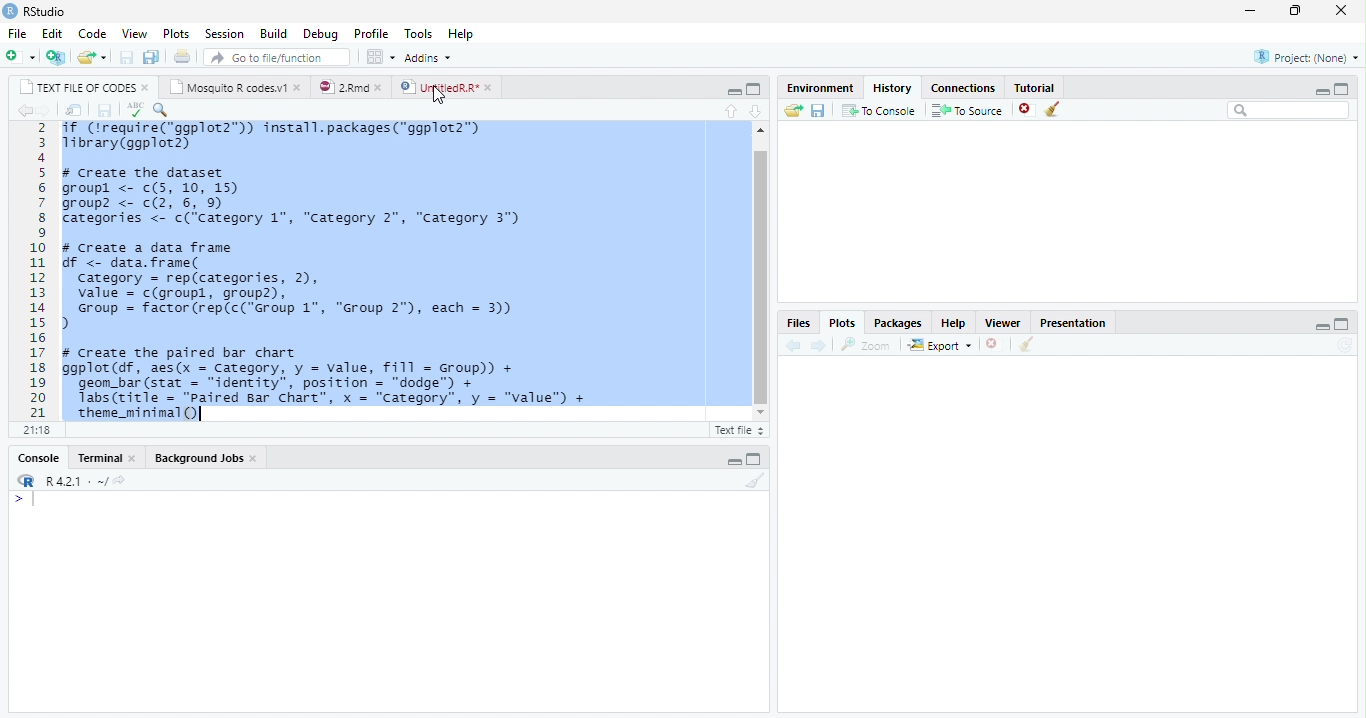 The height and width of the screenshot is (718, 1366). Describe the element at coordinates (1029, 345) in the screenshot. I see `clean` at that location.